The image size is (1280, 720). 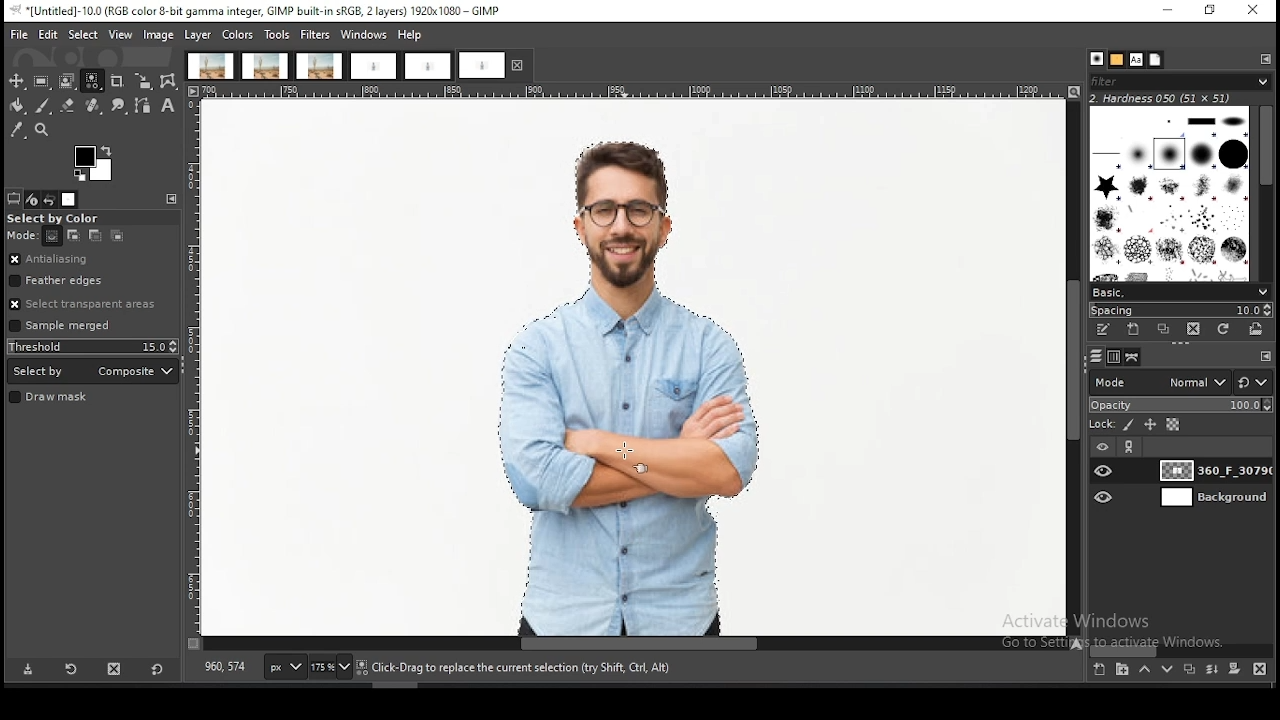 I want to click on draw mask, so click(x=51, y=398).